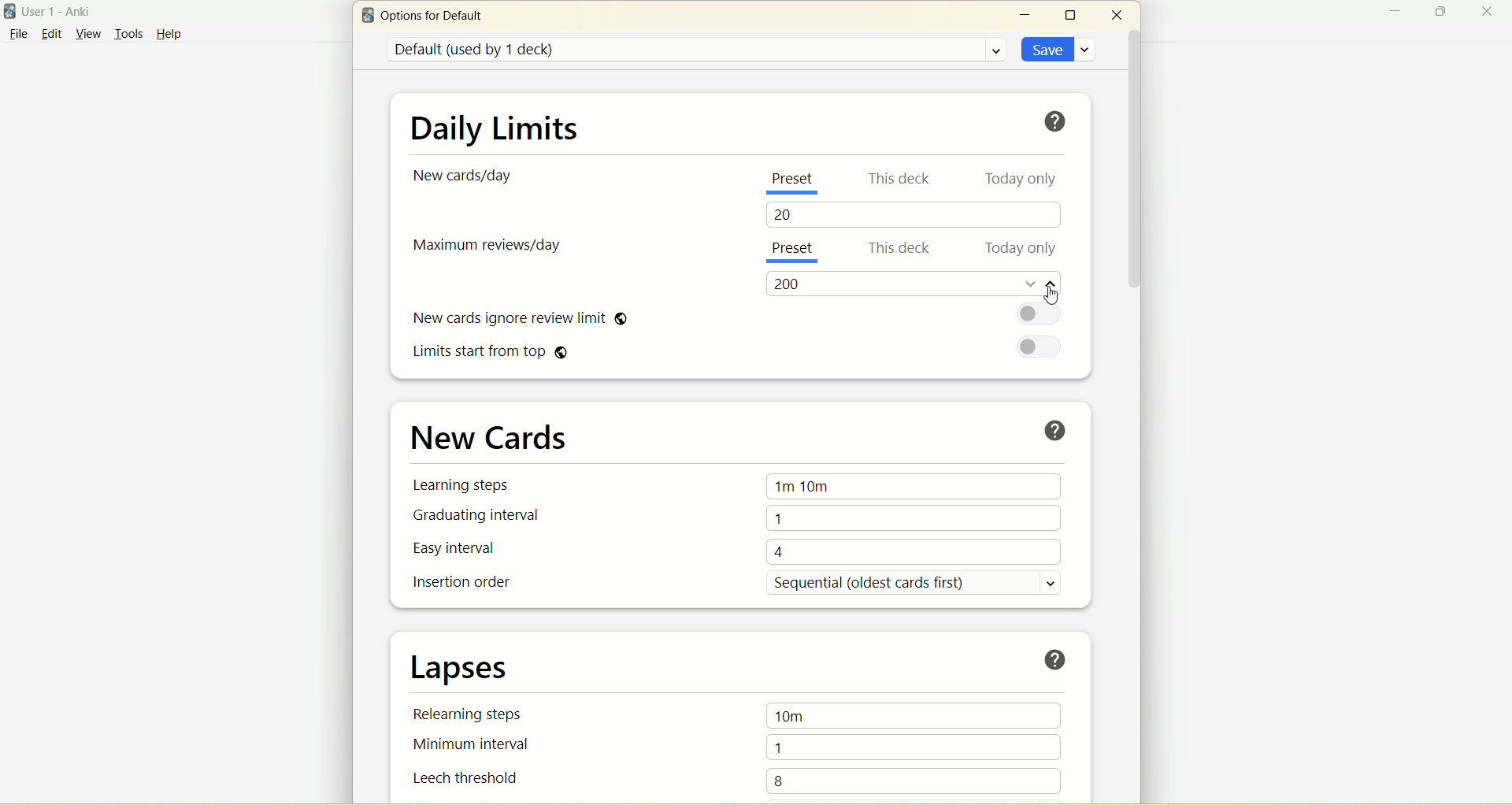 The width and height of the screenshot is (1512, 805). Describe the element at coordinates (800, 184) in the screenshot. I see `present` at that location.